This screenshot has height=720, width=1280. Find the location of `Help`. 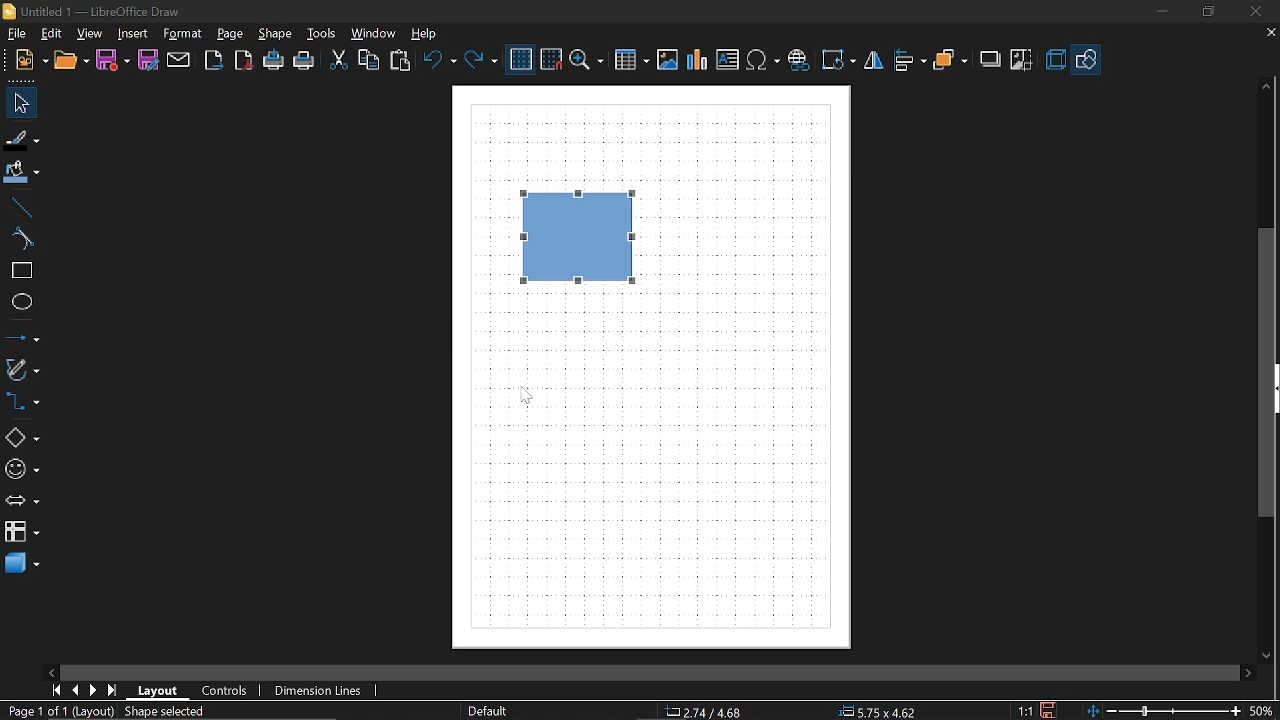

Help is located at coordinates (431, 33).